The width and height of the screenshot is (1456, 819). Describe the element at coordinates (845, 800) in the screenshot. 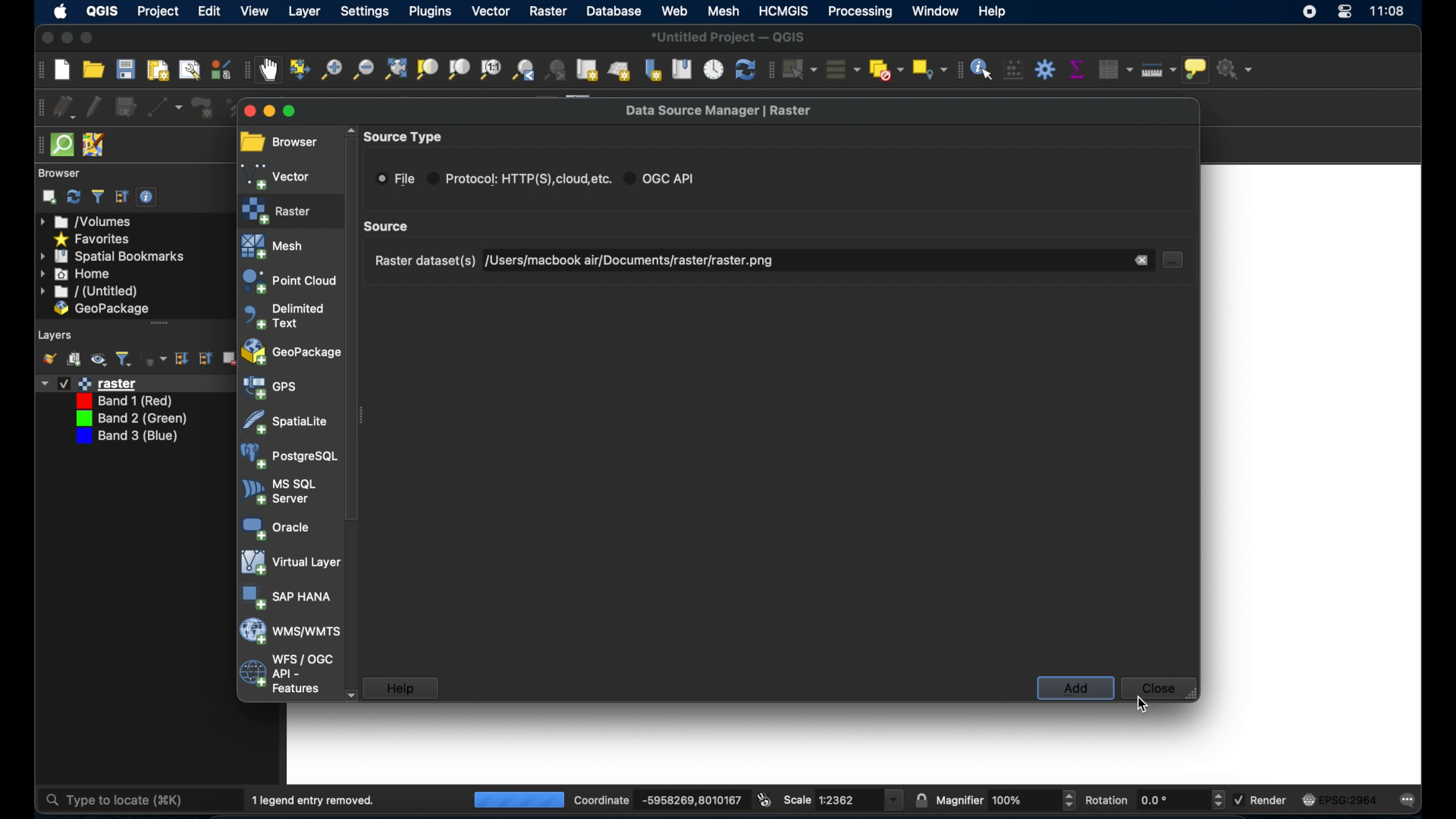

I see `scale` at that location.